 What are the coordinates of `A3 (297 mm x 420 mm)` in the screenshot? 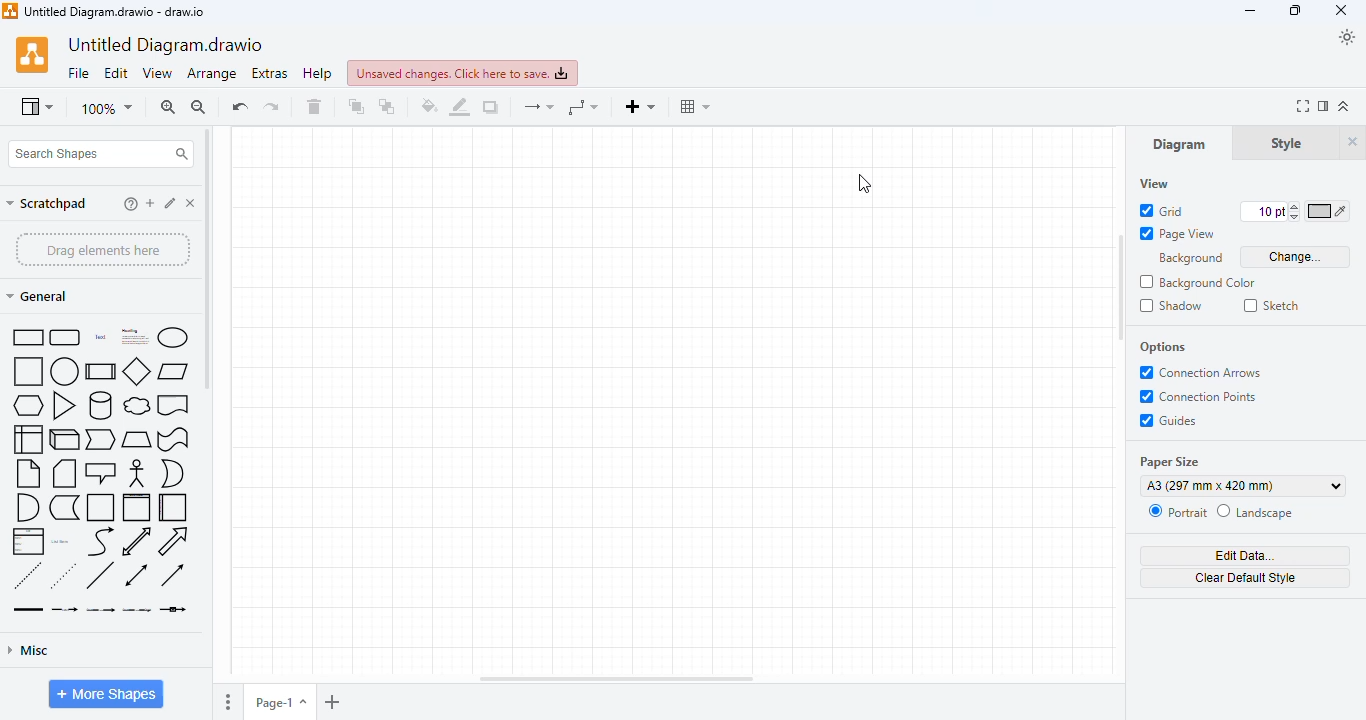 It's located at (1245, 487).